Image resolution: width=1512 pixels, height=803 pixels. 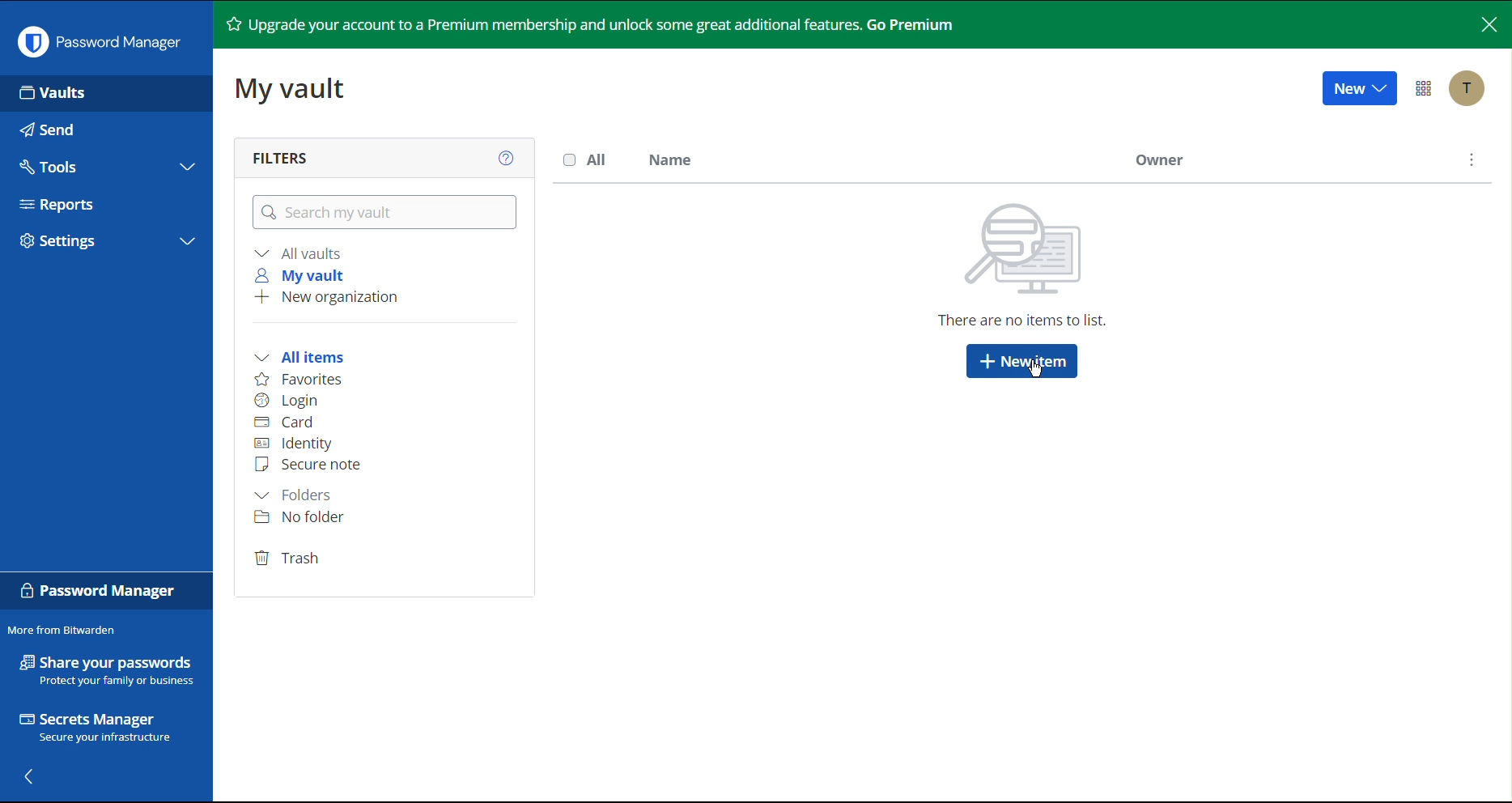 I want to click on Card, so click(x=284, y=422).